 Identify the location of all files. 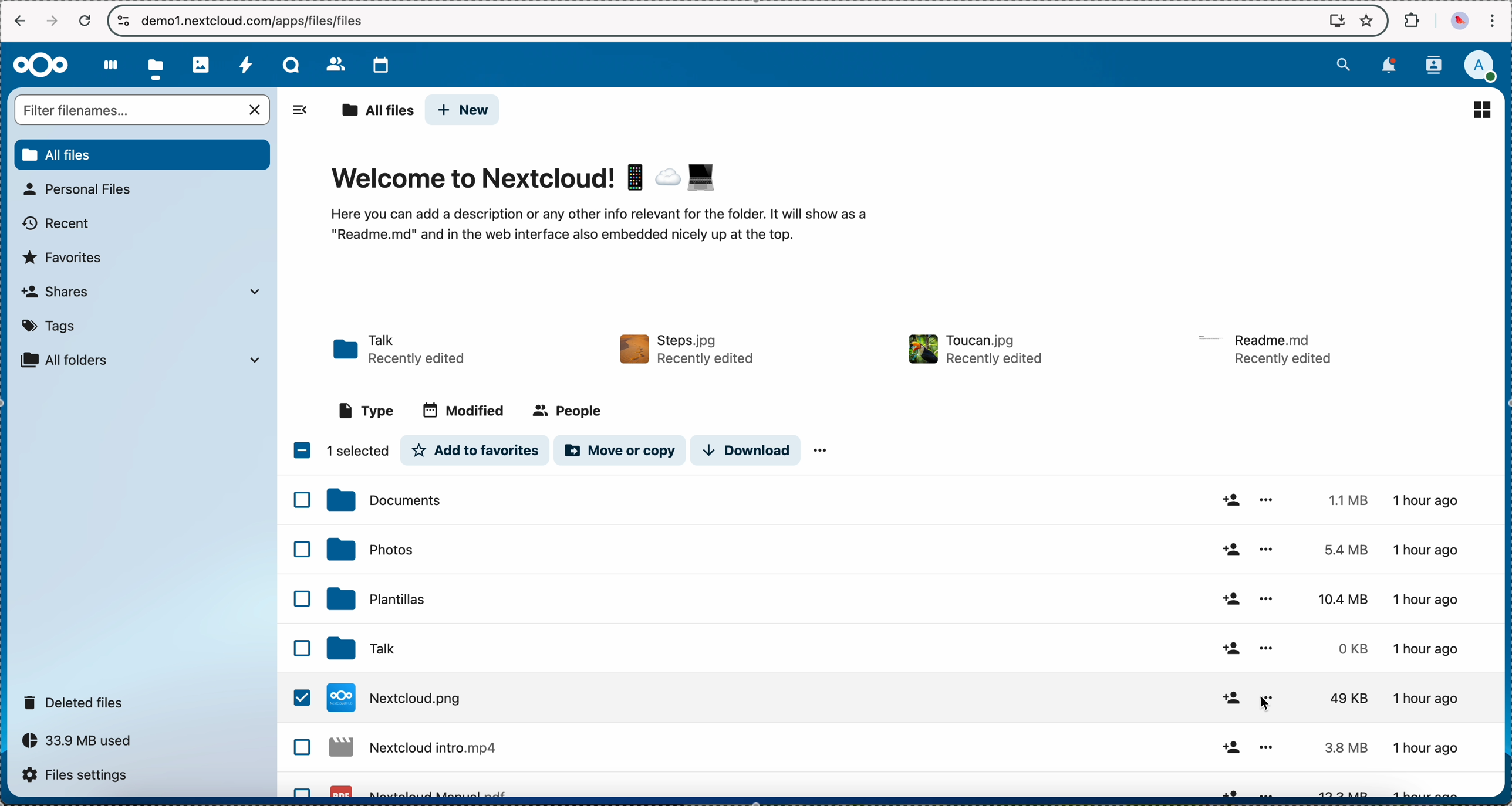
(373, 109).